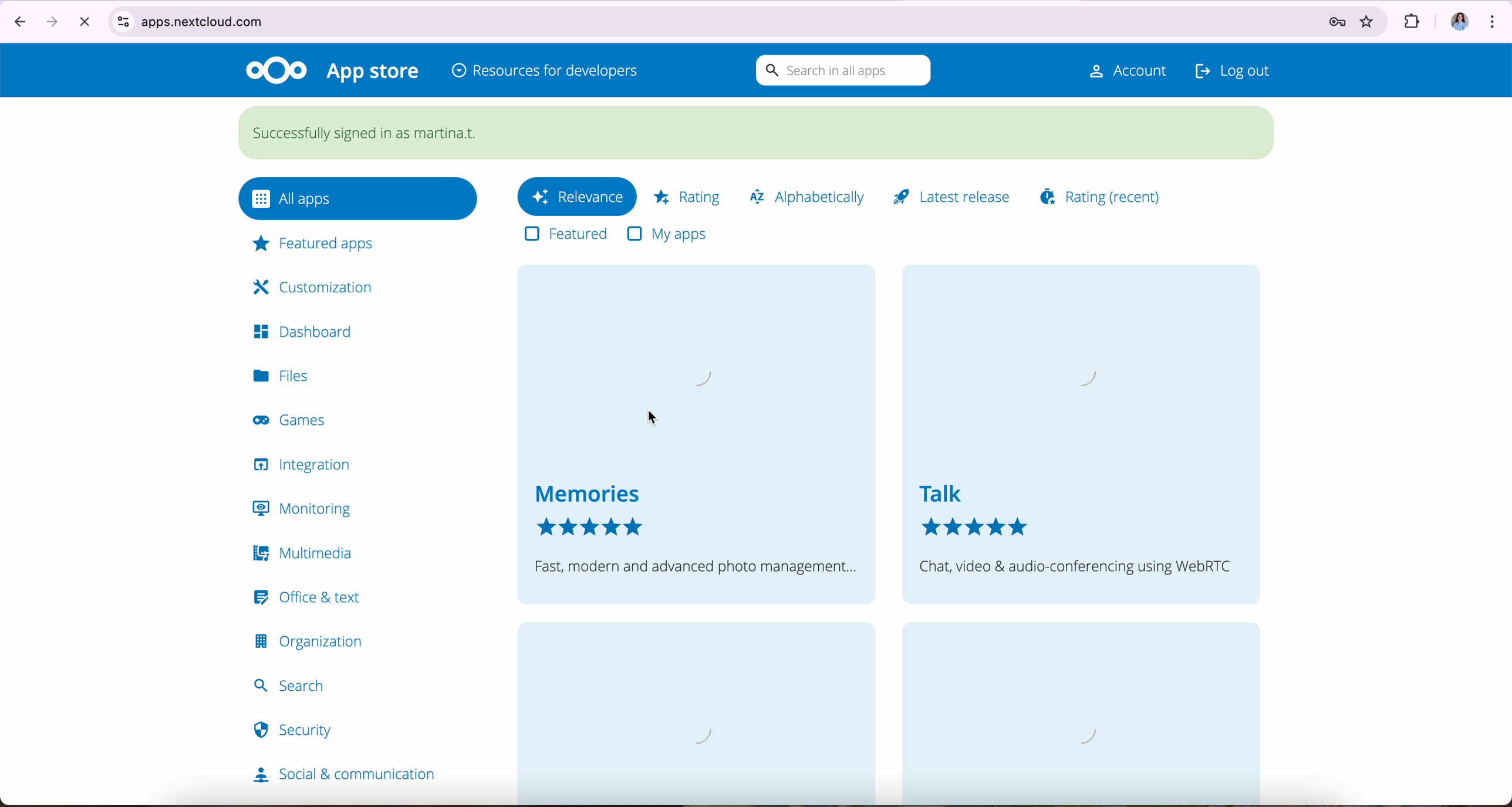 The image size is (1512, 807). What do you see at coordinates (1071, 717) in the screenshot?
I see `collections` at bounding box center [1071, 717].